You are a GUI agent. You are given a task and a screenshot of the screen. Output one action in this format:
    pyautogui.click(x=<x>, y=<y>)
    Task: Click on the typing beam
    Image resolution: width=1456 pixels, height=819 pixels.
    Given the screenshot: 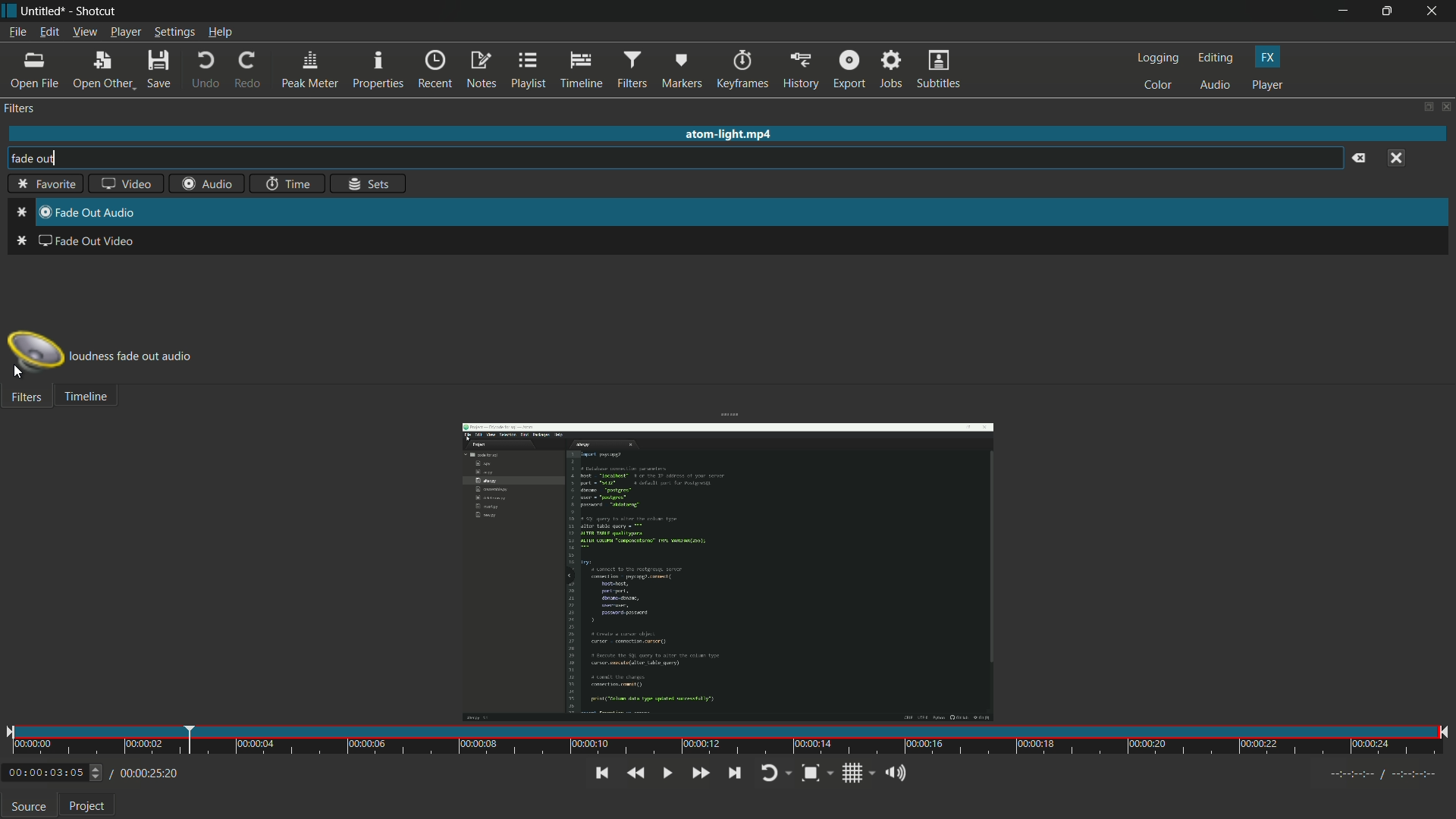 What is the action you would take?
    pyautogui.click(x=53, y=158)
    